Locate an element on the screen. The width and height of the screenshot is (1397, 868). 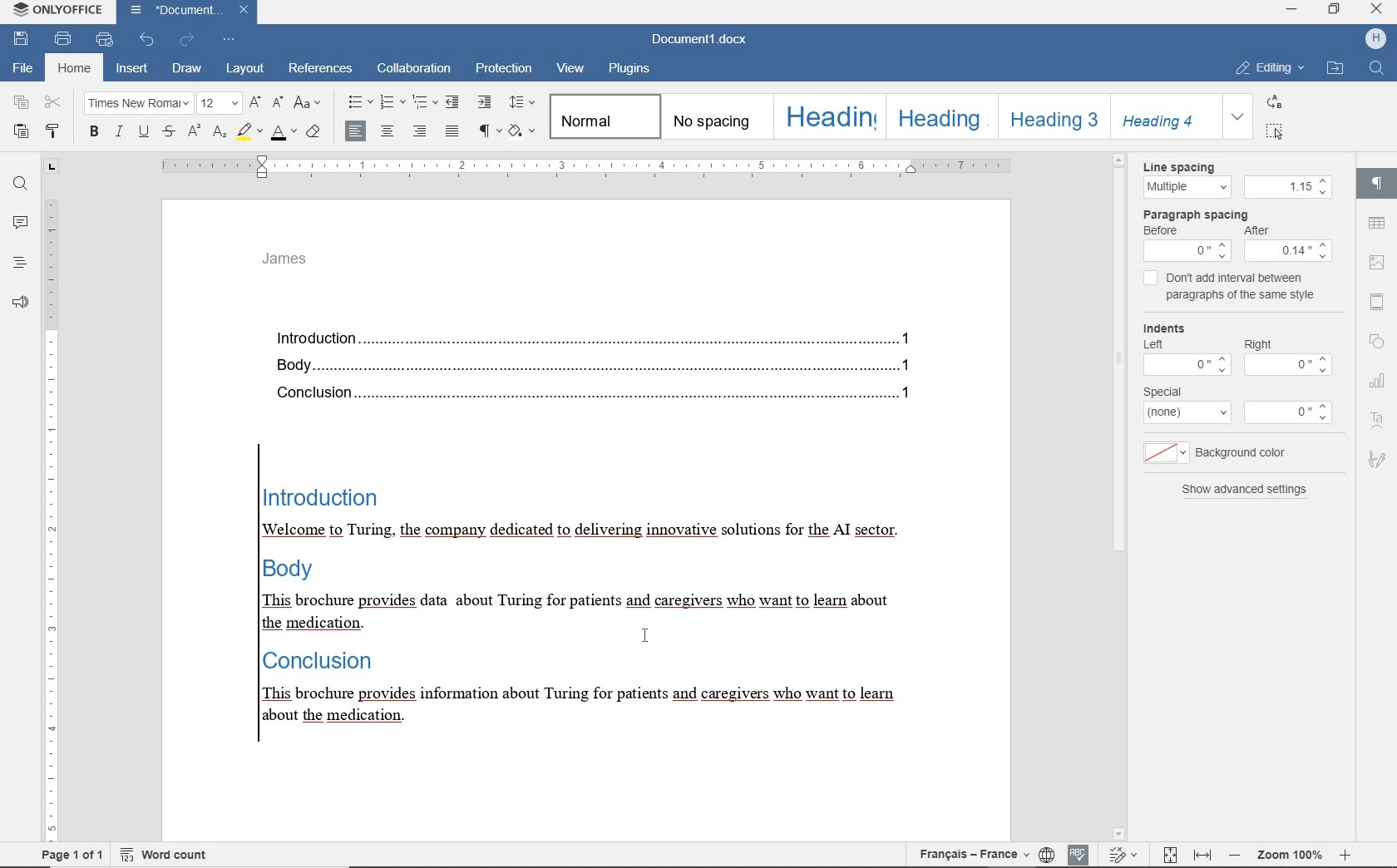
more options is located at coordinates (1189, 413).